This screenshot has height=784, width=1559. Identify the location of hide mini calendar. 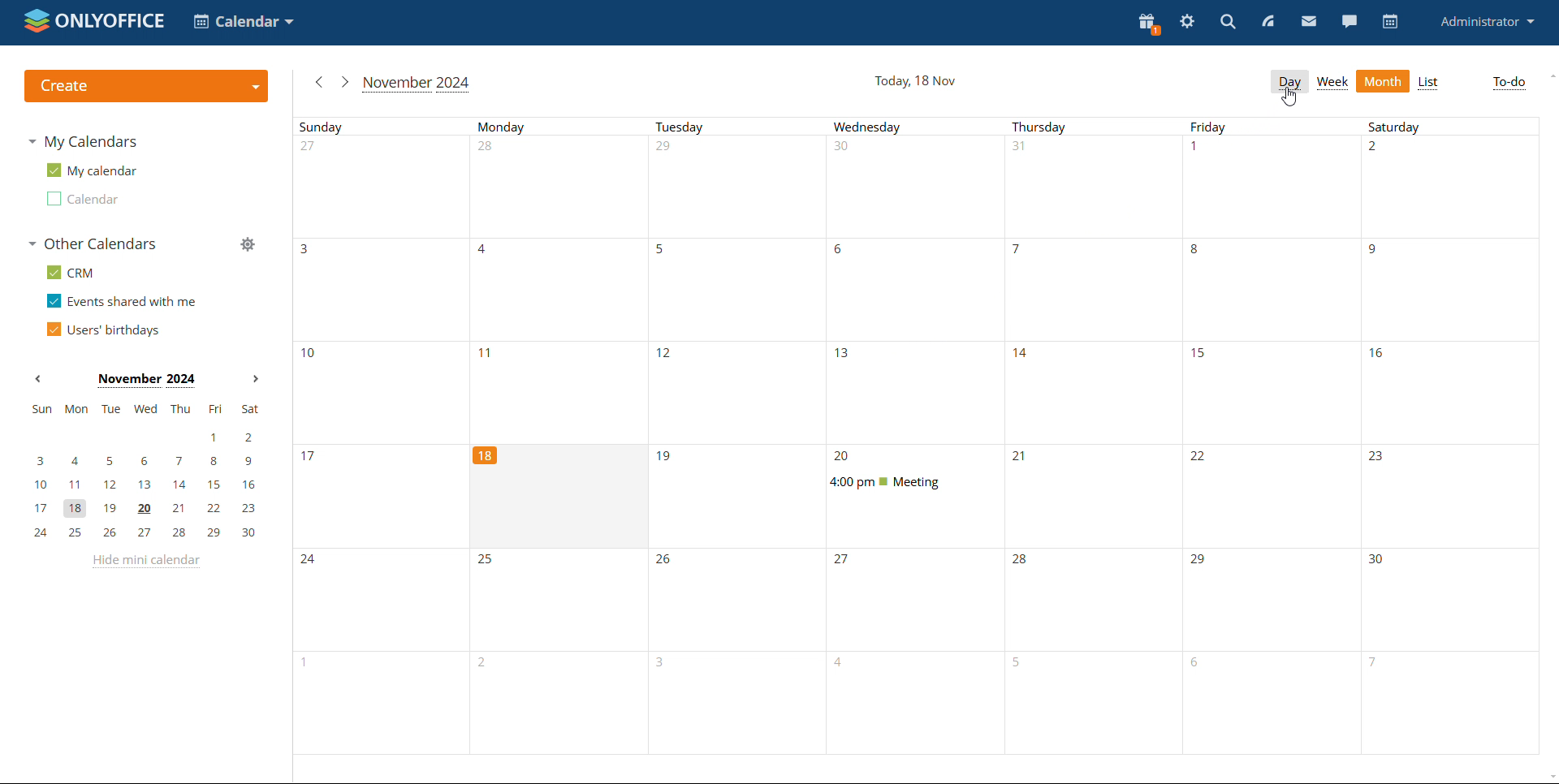
(145, 562).